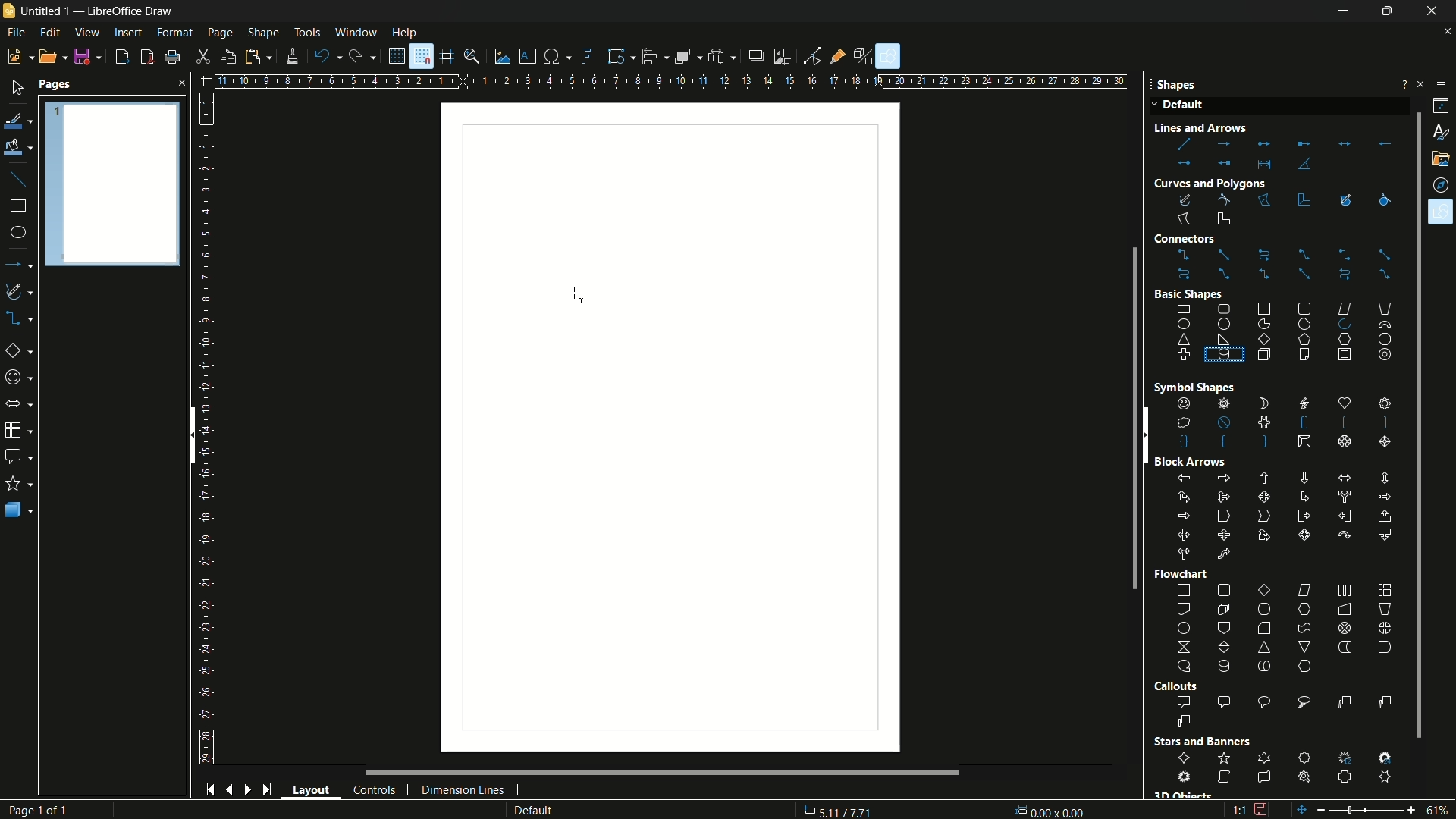 Image resolution: width=1456 pixels, height=819 pixels. What do you see at coordinates (55, 85) in the screenshot?
I see `pages` at bounding box center [55, 85].